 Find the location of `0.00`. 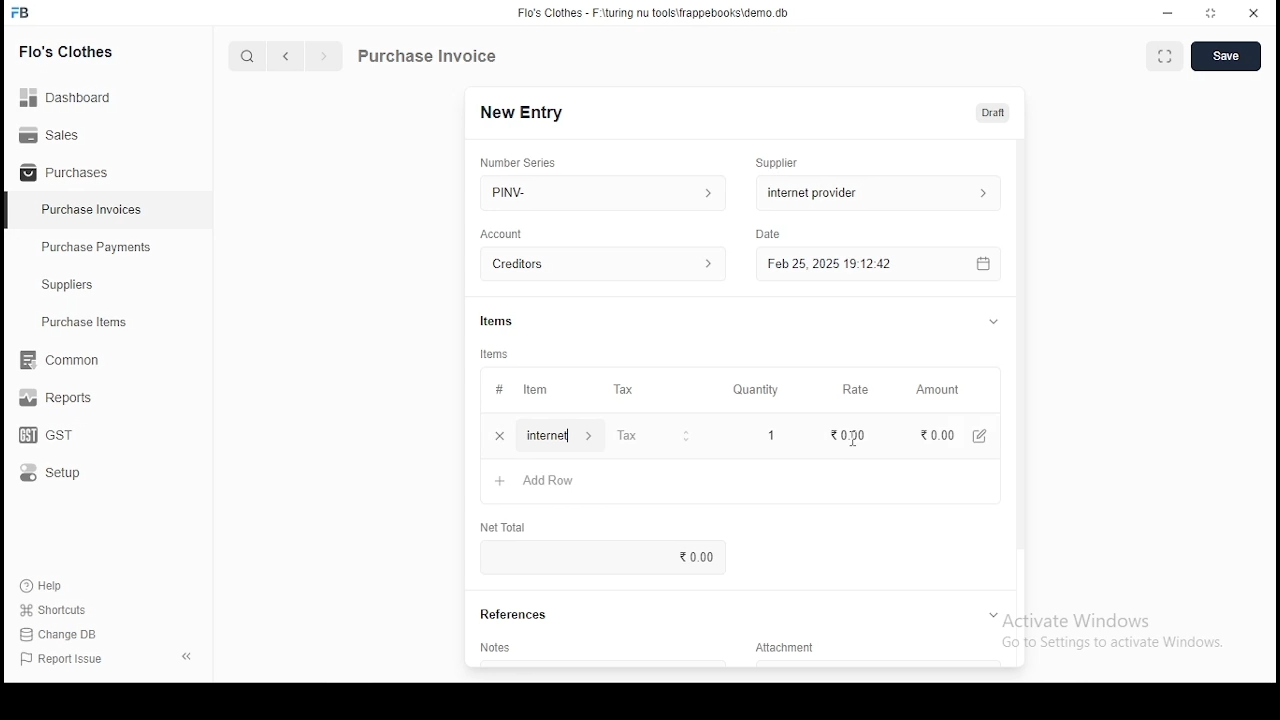

0.00 is located at coordinates (843, 434).